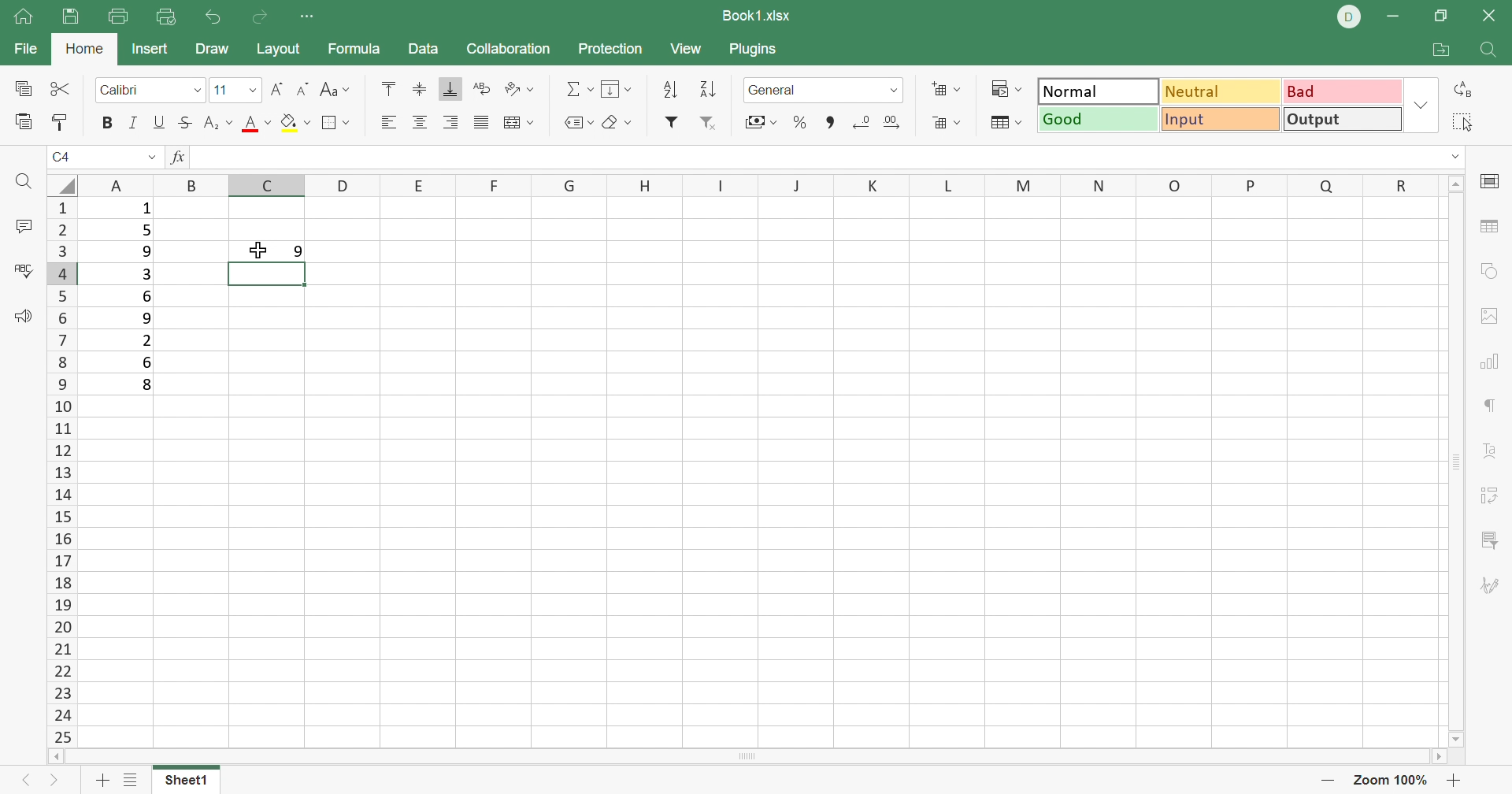  I want to click on Zoom 100%, so click(1391, 781).